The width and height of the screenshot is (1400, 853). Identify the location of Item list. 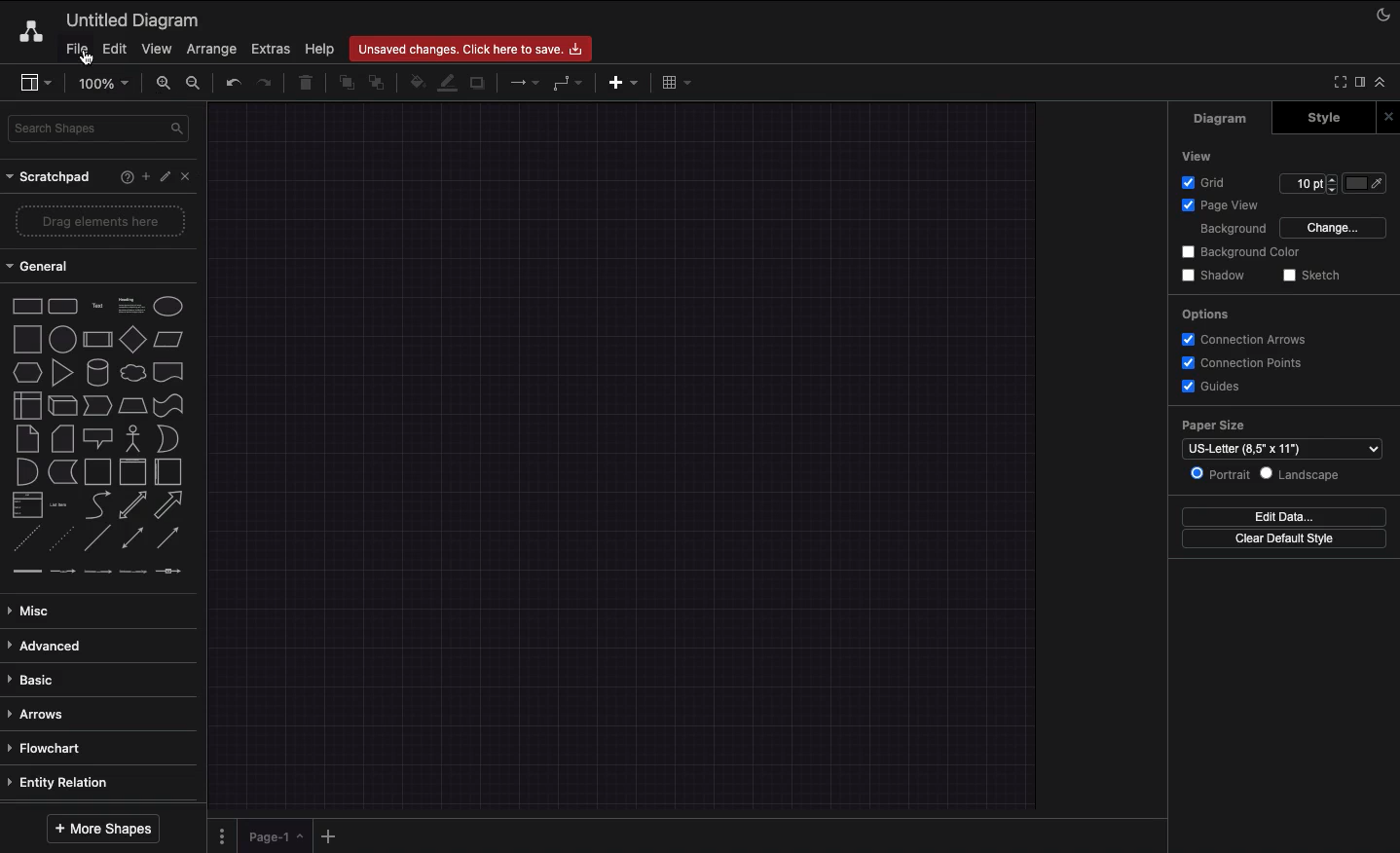
(64, 505).